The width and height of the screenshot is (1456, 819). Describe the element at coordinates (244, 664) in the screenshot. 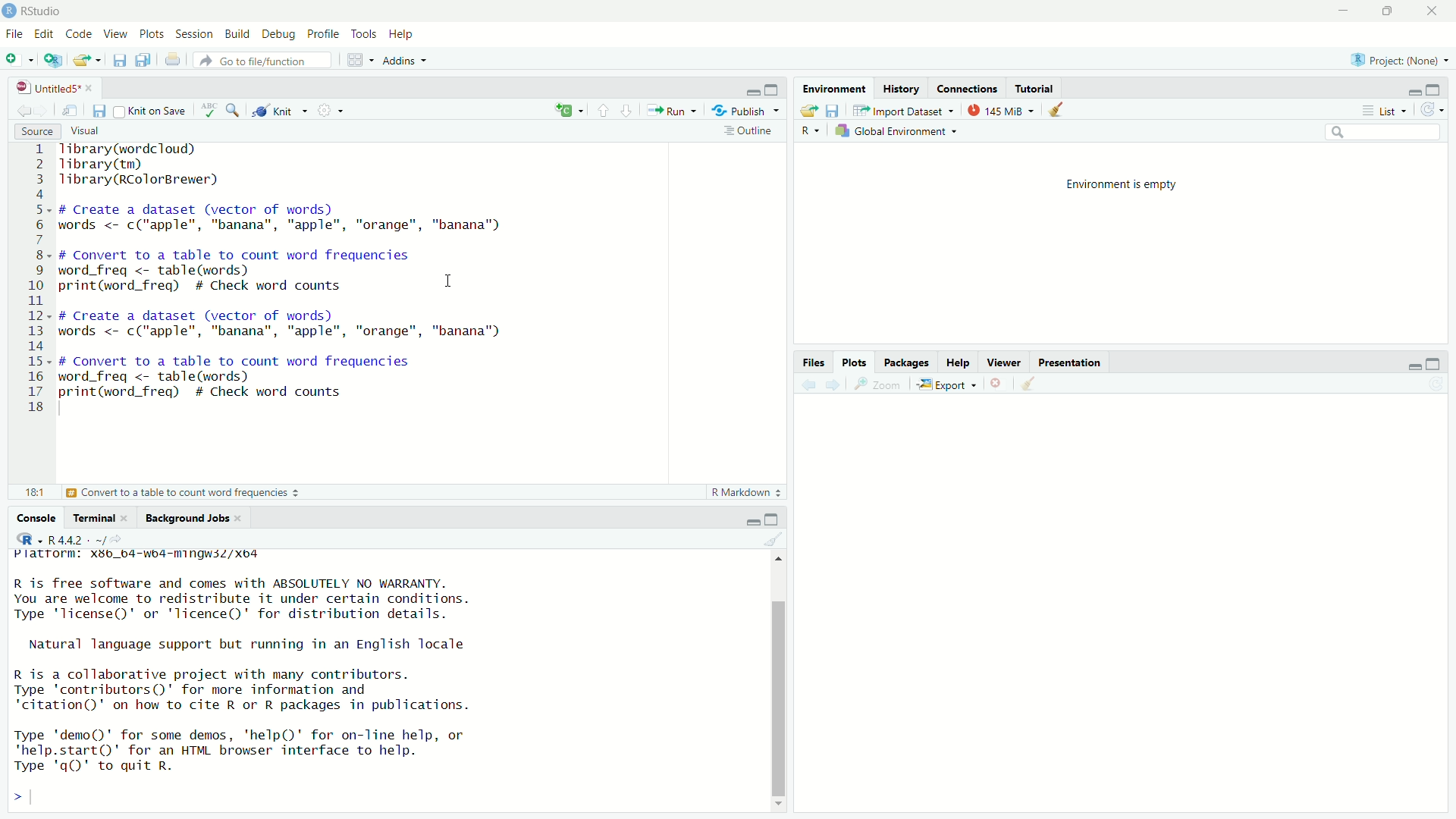

I see `R is free software and comes with ABSOLUTELY NO WARRANTY.

You are welcome to redistribute it under certain conditions.

Type 'license()' or 'licence()' for distribution details.
Natural language support but running in an English locale

R is a collaborative project with many contributors.

Type ‘contributors’ for more information and

"citation()' on how to cite R or R packages in publications.

Type 'demo()' for some demos, 'help()' for on-line help, or

'help.start()' for an HTML browser interface to help.

Type 'qQ)' to quit R.` at that location.